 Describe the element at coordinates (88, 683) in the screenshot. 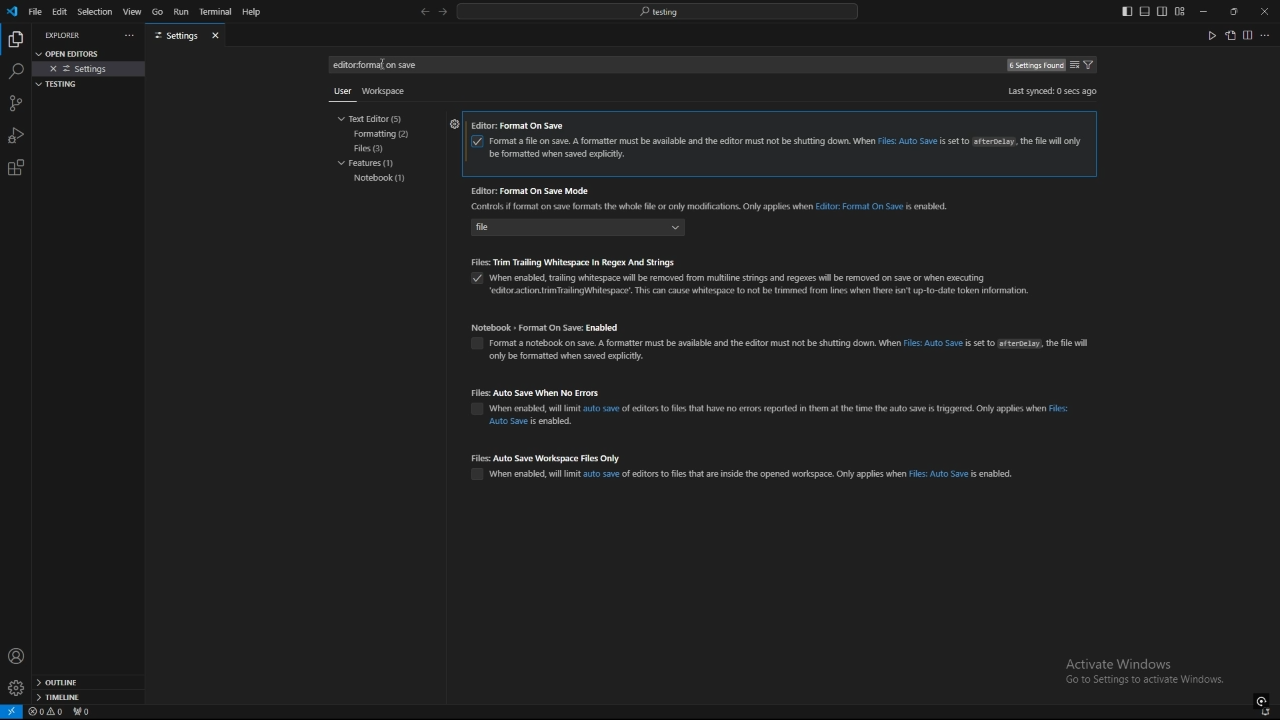

I see `outline` at that location.